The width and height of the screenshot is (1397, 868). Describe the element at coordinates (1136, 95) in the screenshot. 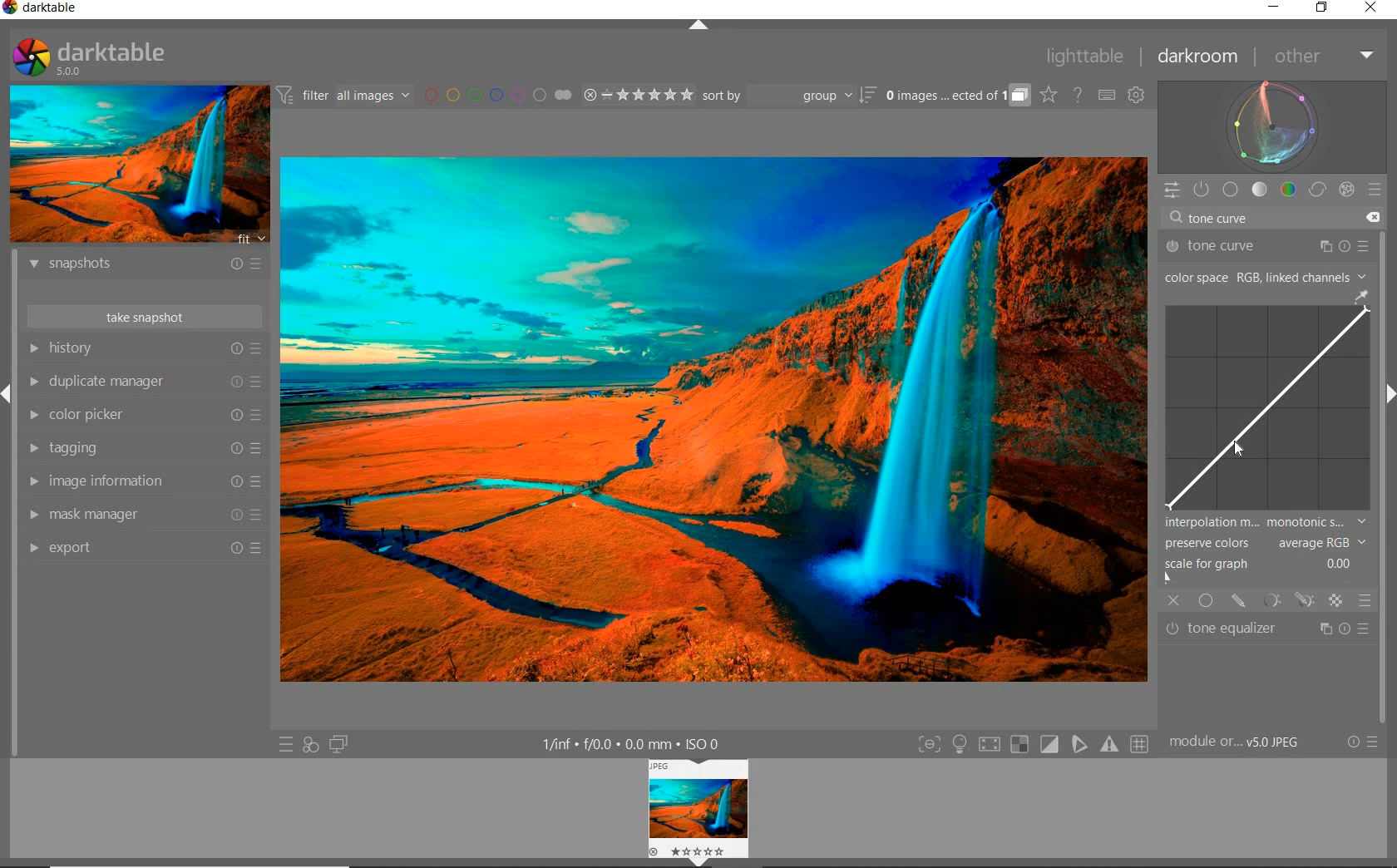

I see `SHOW GLOBAL PREFERENCES` at that location.